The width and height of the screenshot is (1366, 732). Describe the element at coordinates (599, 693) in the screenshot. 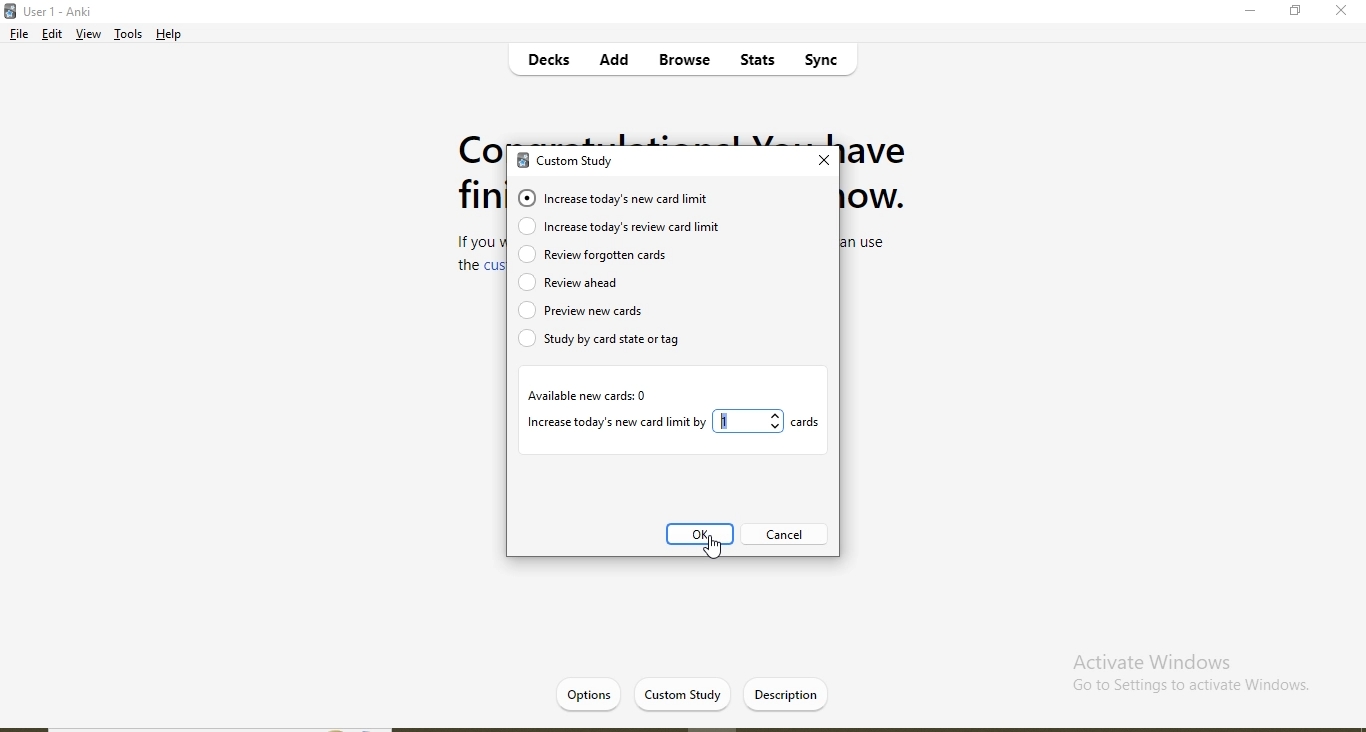

I see `get started` at that location.